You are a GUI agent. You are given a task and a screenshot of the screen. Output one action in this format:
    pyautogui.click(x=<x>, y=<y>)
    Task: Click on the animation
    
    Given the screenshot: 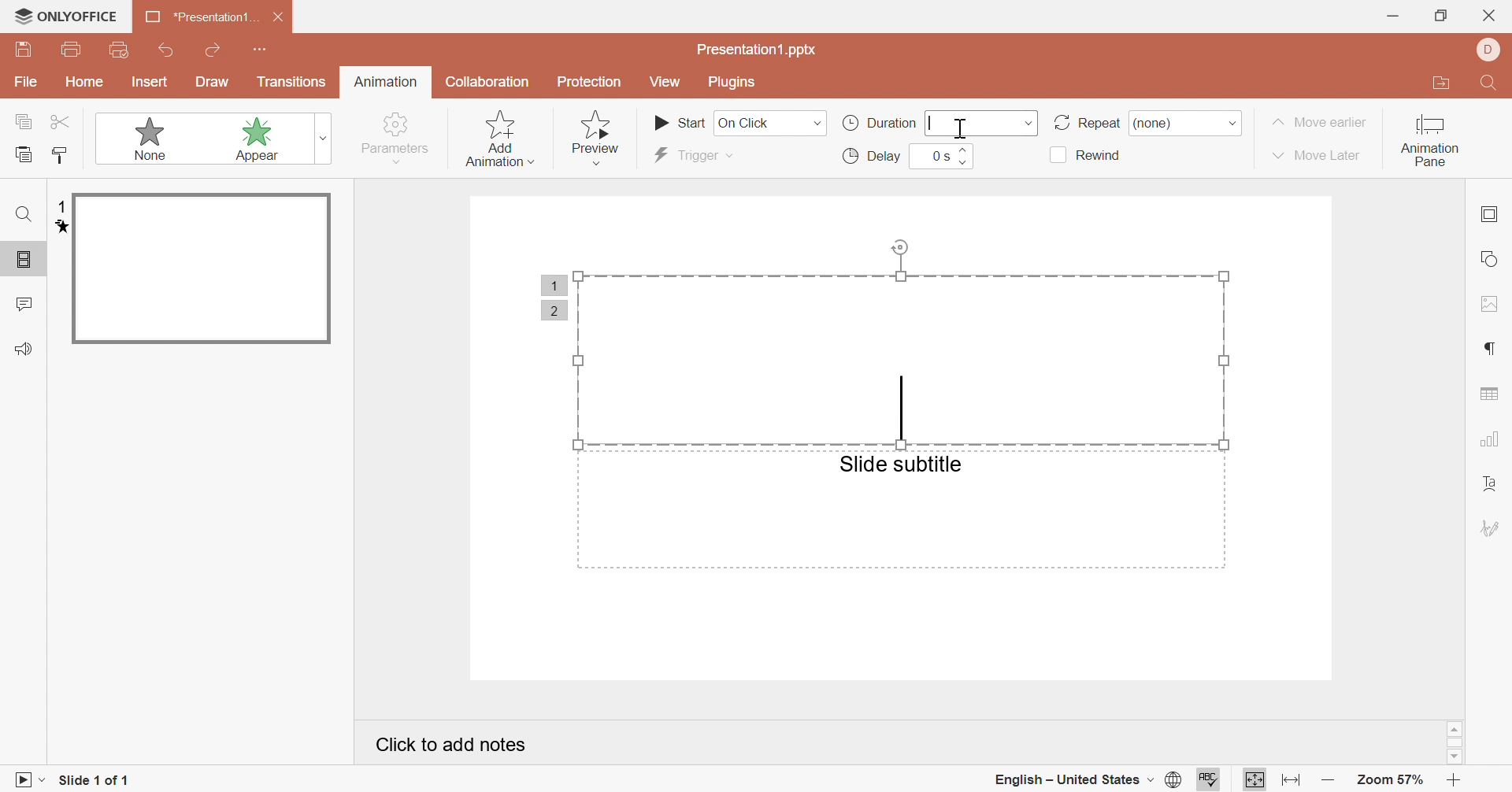 What is the action you would take?
    pyautogui.click(x=57, y=228)
    